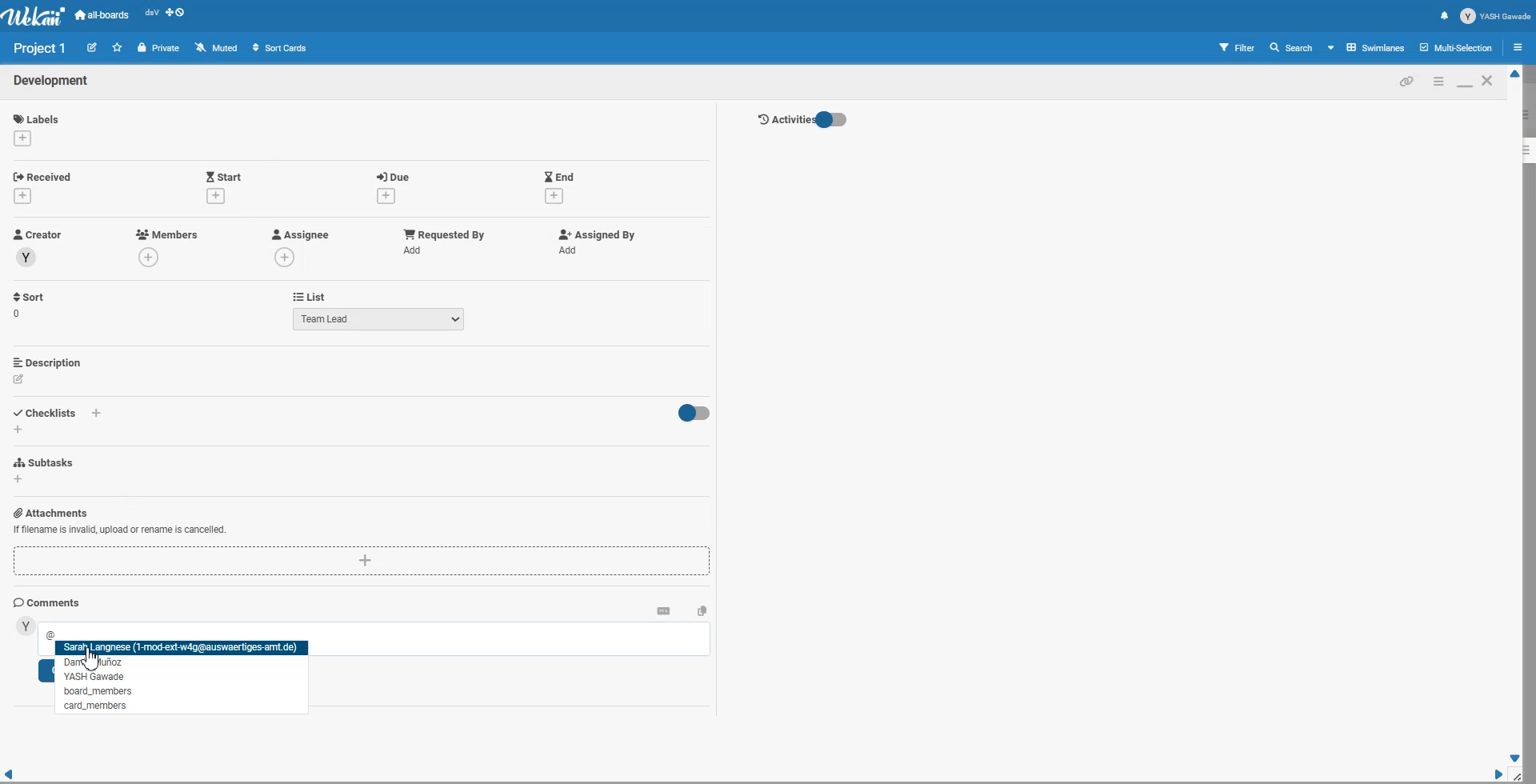 This screenshot has height=784, width=1536. What do you see at coordinates (383, 196) in the screenshot?
I see `add` at bounding box center [383, 196].